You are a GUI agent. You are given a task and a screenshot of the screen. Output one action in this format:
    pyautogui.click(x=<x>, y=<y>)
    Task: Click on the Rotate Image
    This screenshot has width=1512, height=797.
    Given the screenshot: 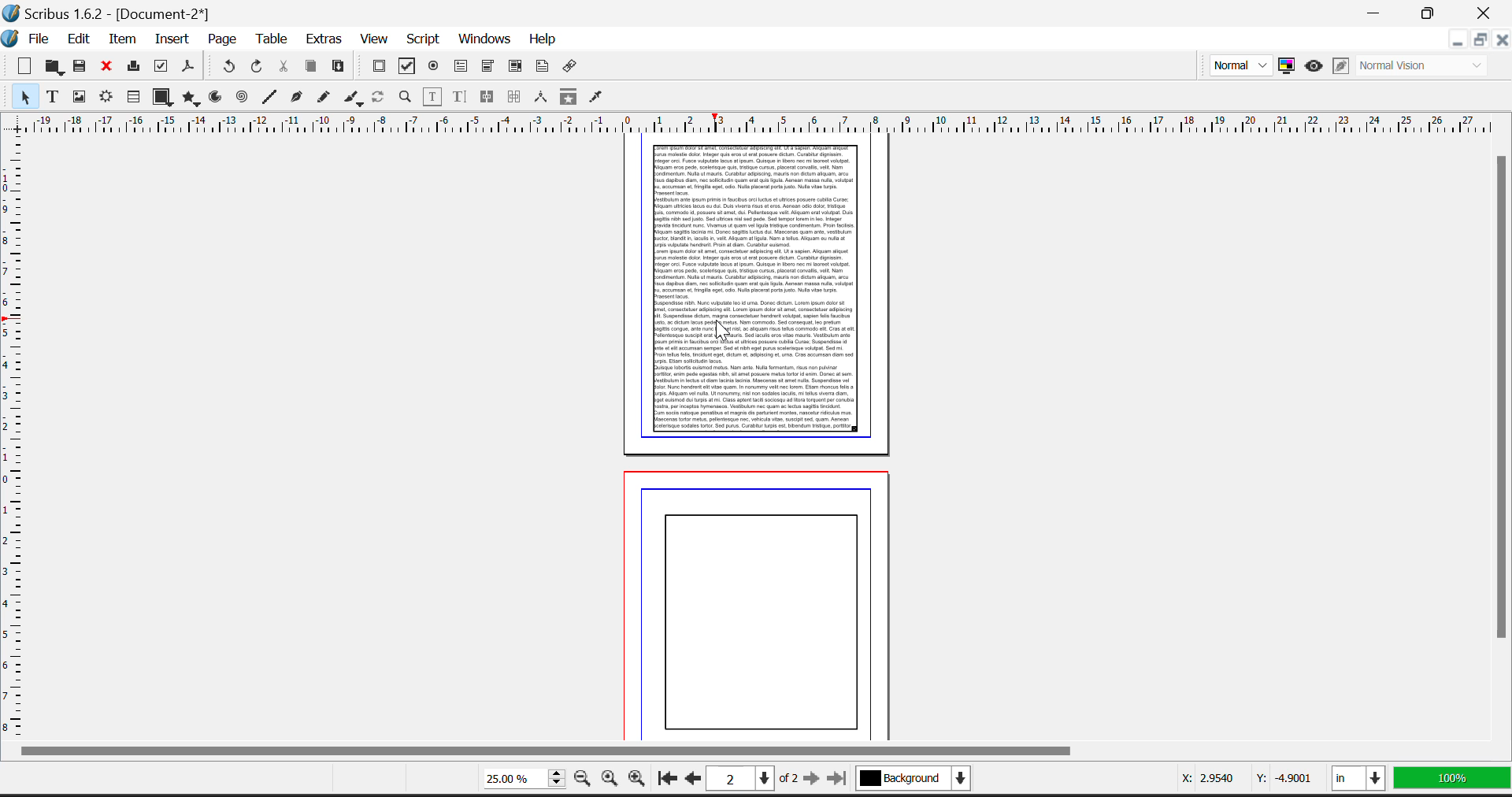 What is the action you would take?
    pyautogui.click(x=380, y=98)
    